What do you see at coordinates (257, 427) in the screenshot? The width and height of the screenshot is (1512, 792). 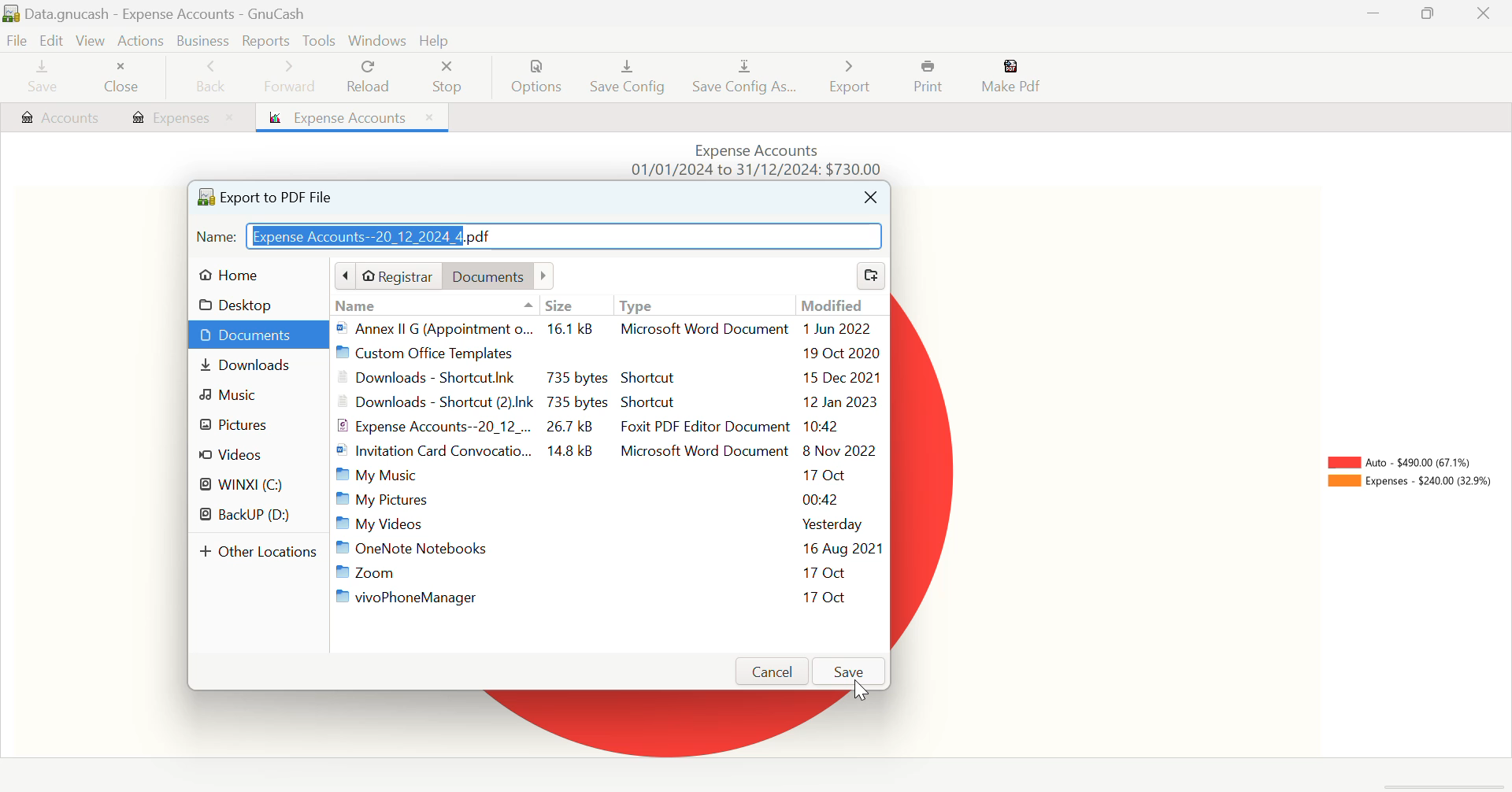 I see `Pictures` at bounding box center [257, 427].